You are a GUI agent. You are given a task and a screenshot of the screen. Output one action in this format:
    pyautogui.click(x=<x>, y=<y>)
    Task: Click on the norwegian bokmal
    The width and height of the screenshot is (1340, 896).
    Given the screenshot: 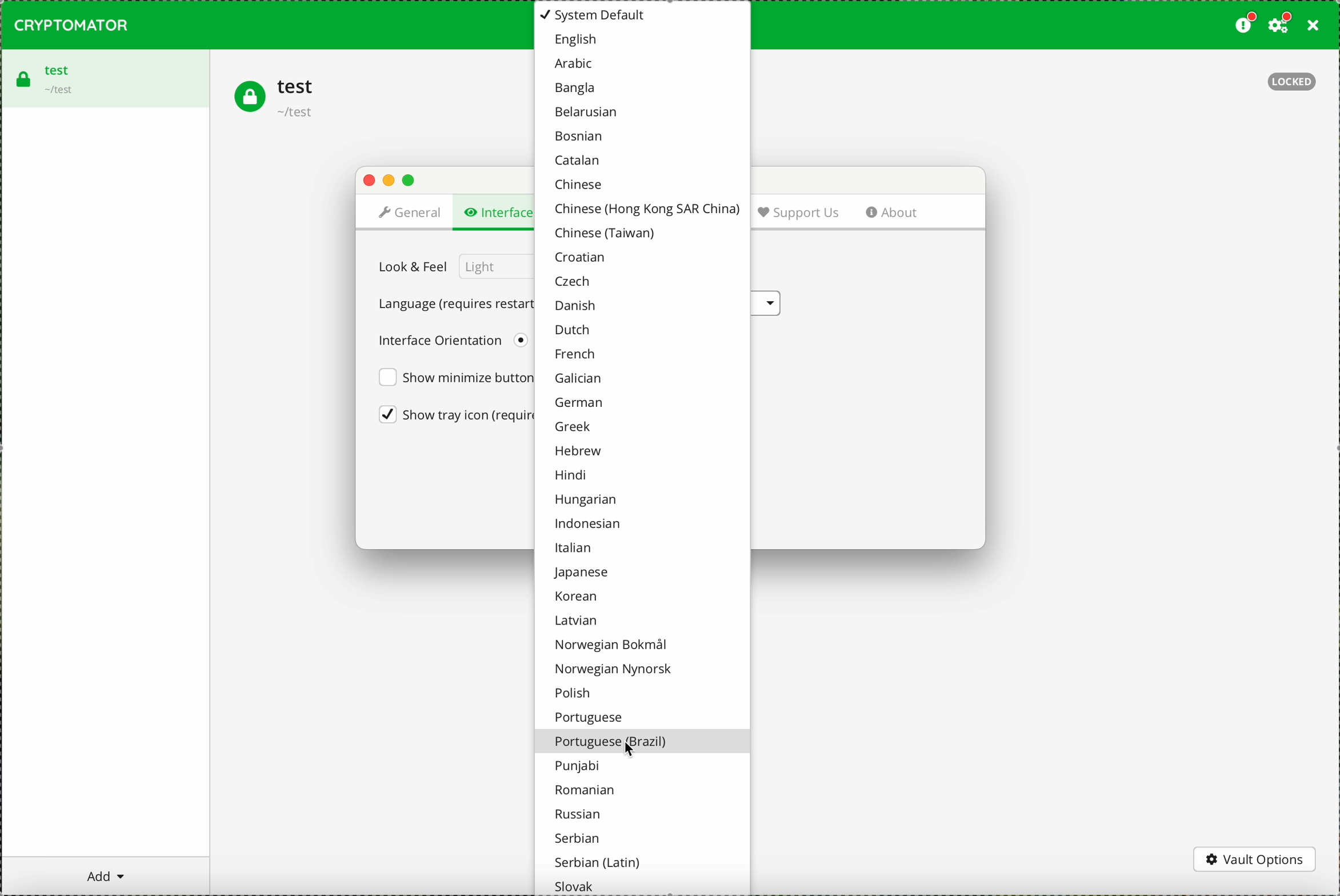 What is the action you would take?
    pyautogui.click(x=625, y=645)
    